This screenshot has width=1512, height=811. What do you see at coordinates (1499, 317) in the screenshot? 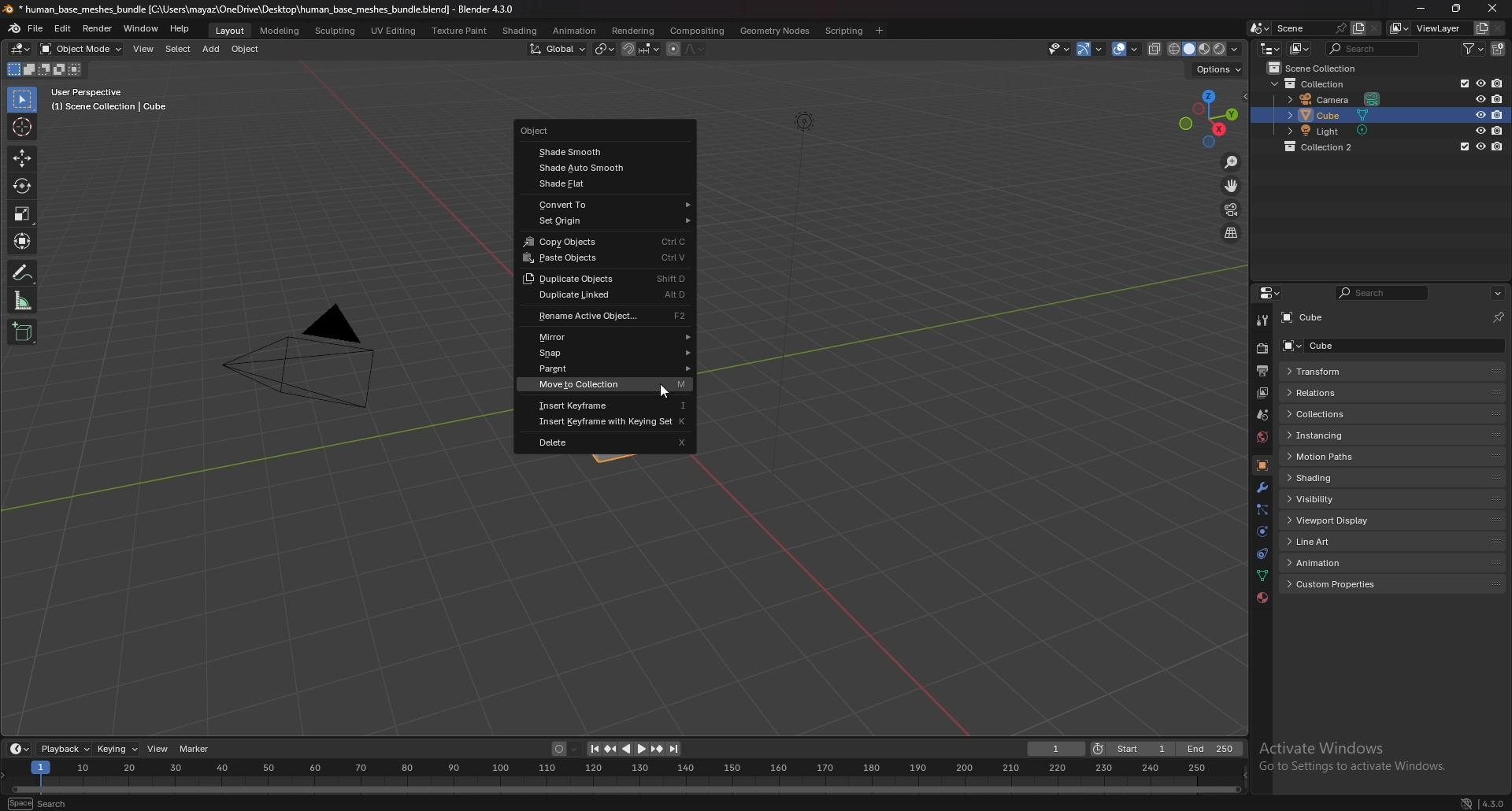
I see `toggle pin id` at bounding box center [1499, 317].